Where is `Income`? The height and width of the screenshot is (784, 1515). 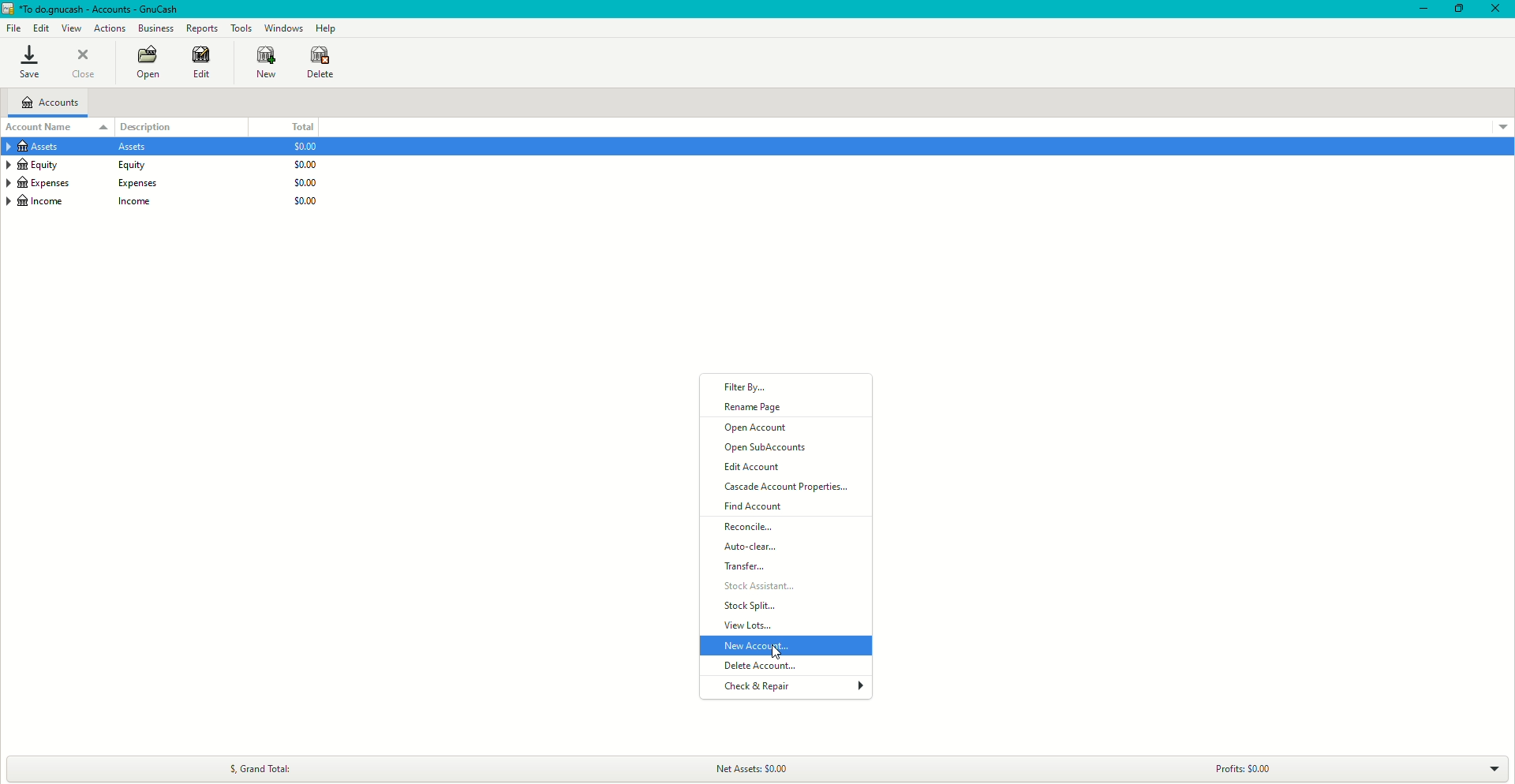
Income is located at coordinates (87, 203).